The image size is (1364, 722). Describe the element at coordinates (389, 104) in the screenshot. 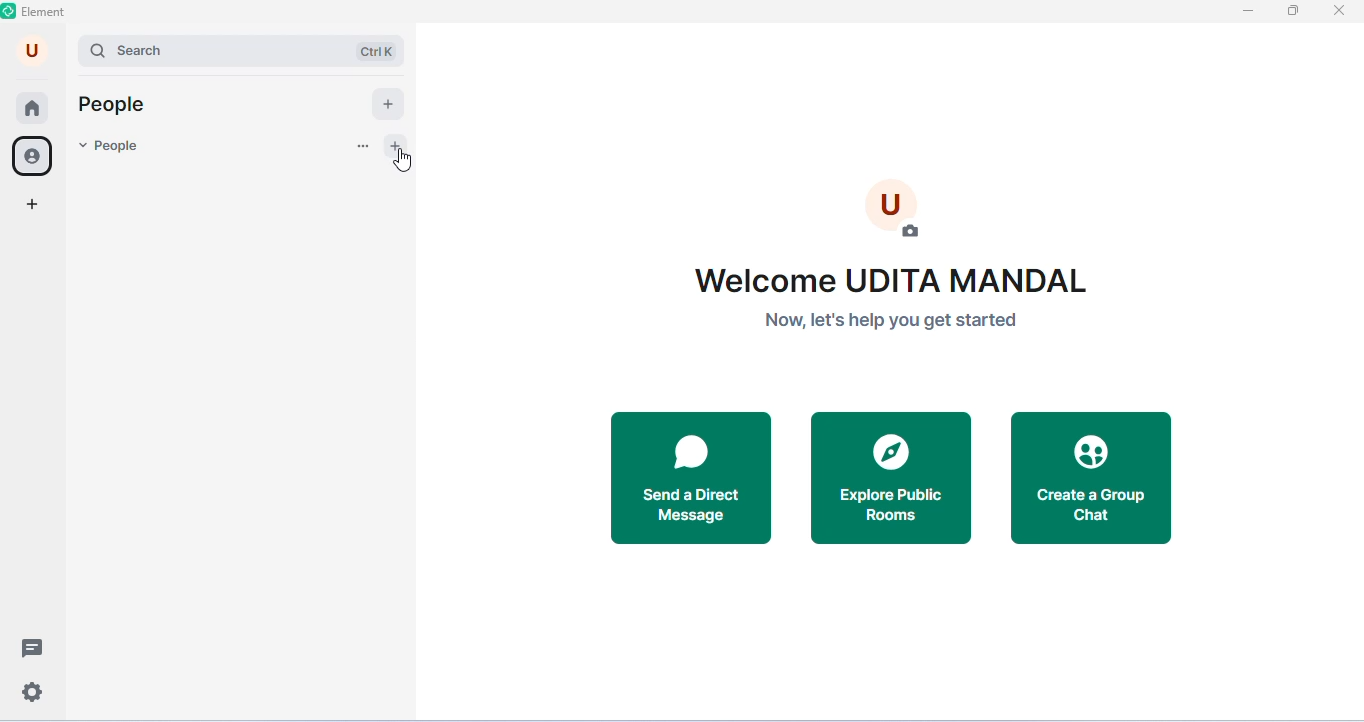

I see `add` at that location.